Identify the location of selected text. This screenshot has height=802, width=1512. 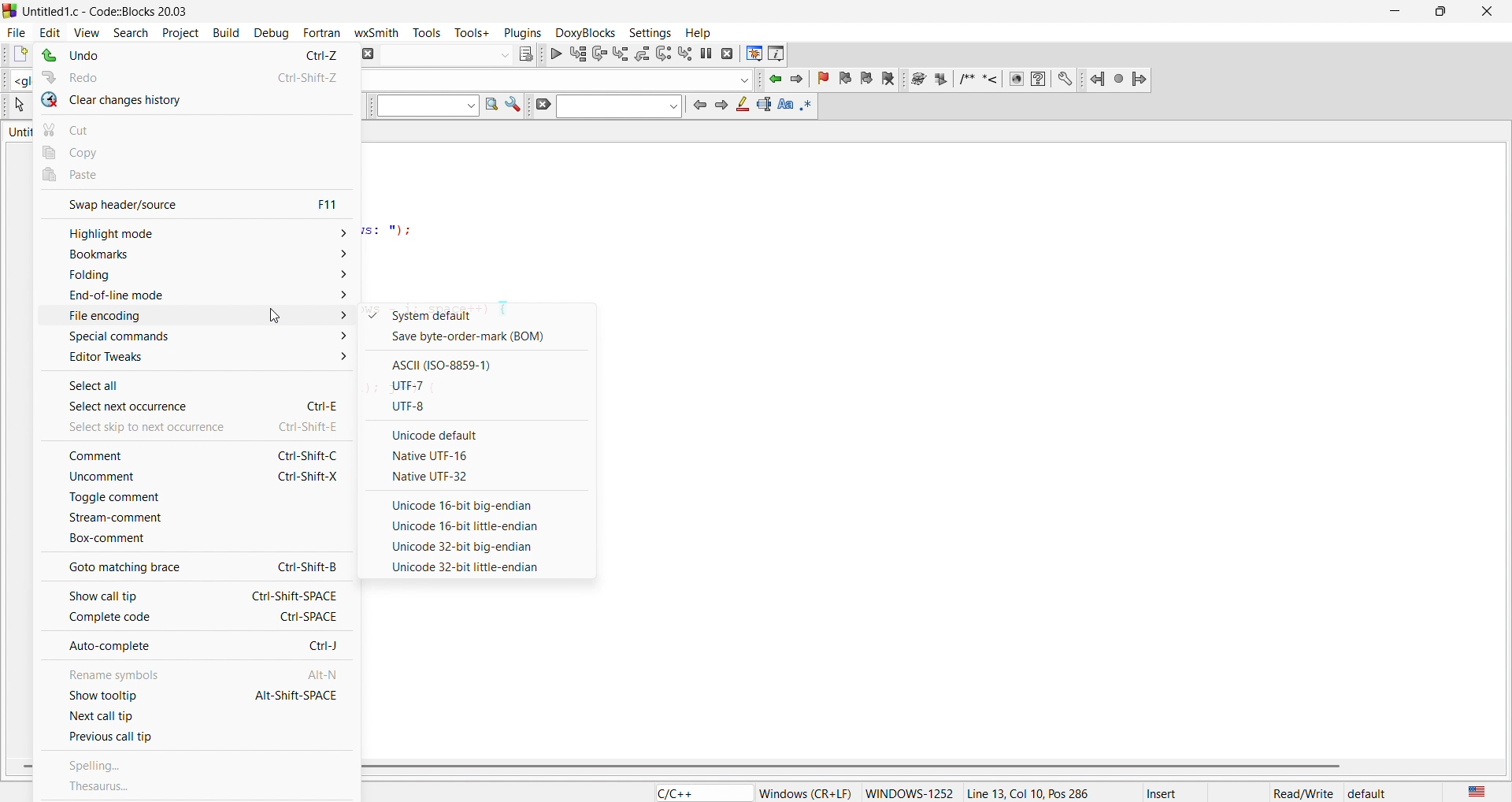
(763, 106).